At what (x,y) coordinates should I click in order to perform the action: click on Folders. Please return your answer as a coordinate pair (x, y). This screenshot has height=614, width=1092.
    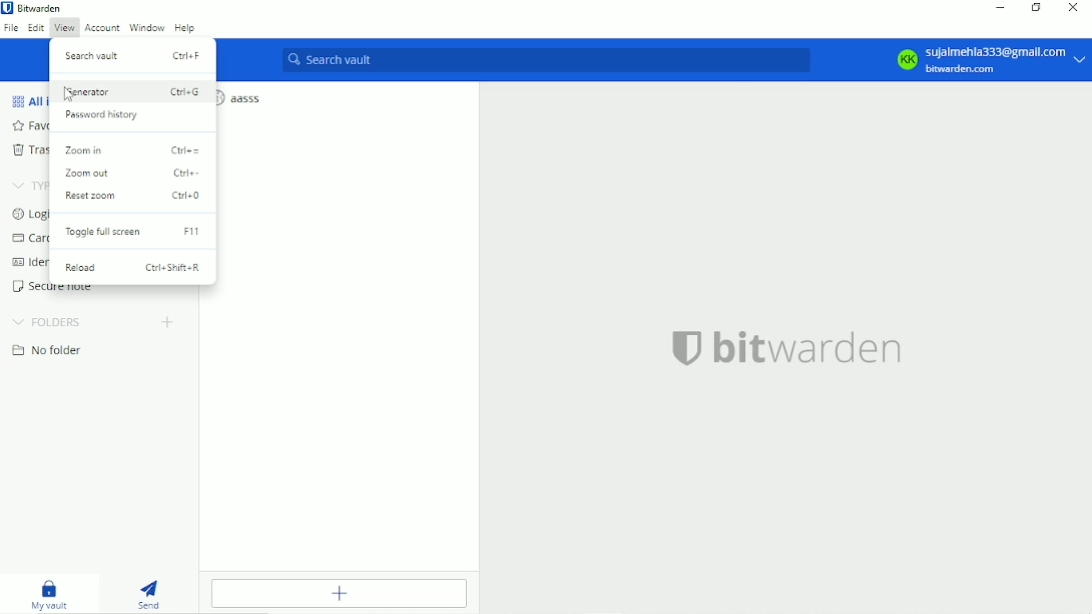
    Looking at the image, I should click on (50, 322).